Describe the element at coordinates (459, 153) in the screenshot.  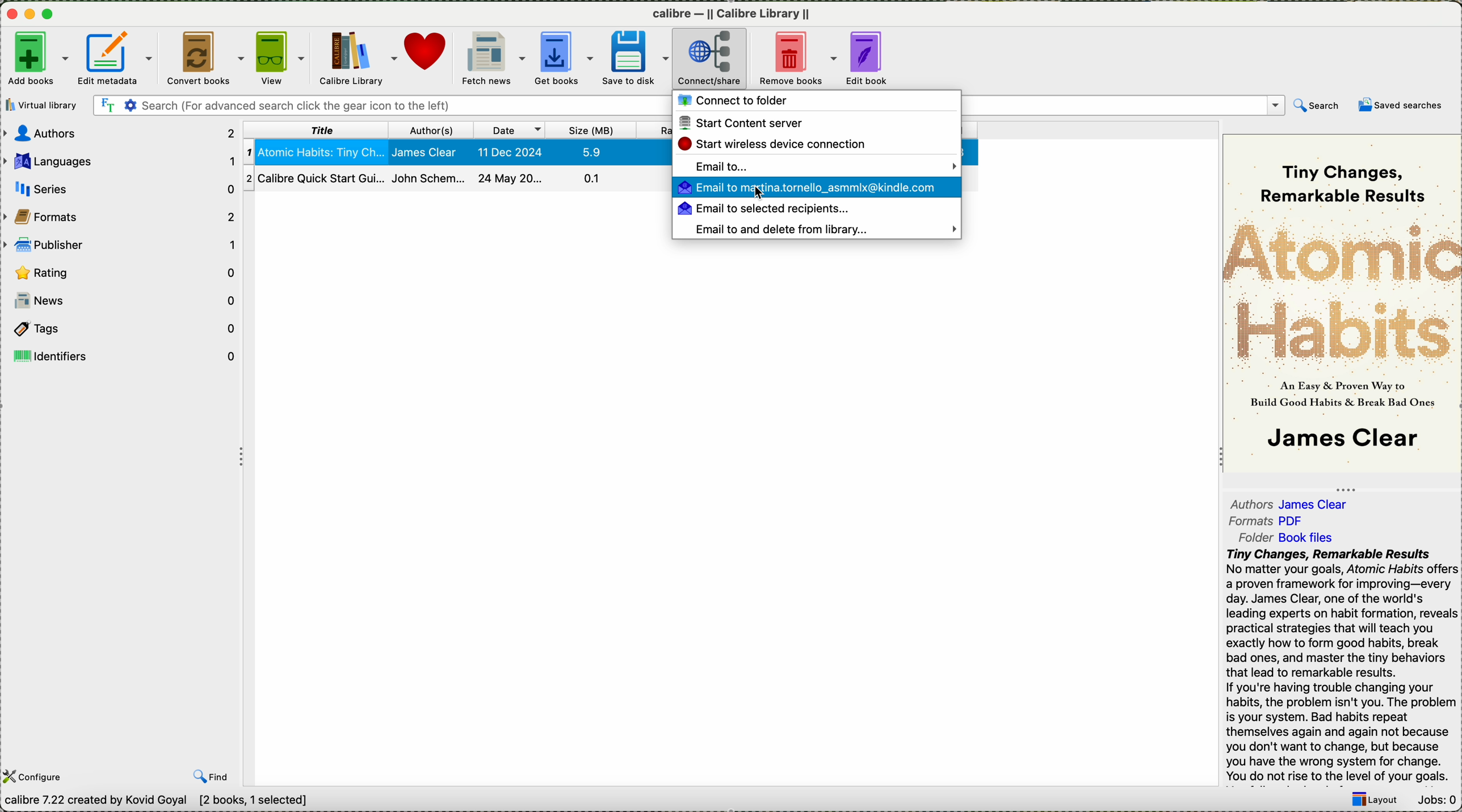
I see `first book selected` at that location.